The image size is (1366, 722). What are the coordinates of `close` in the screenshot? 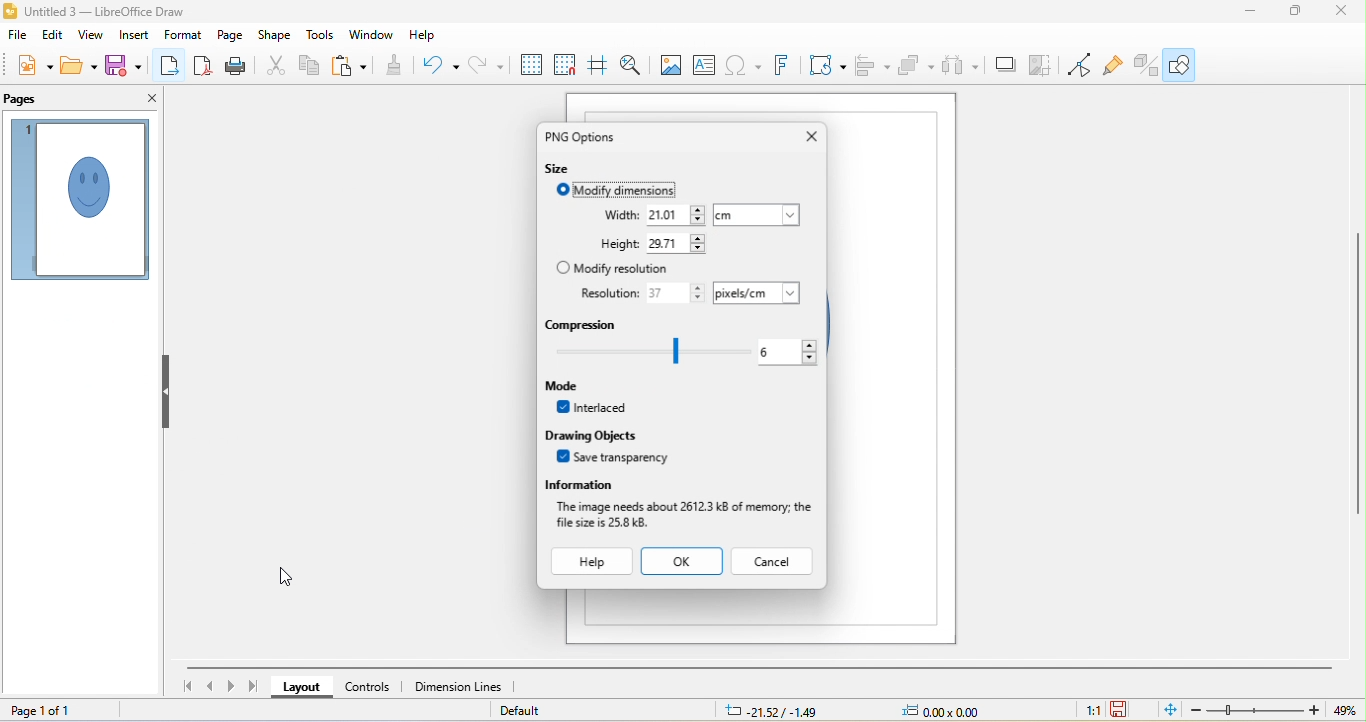 It's located at (811, 136).